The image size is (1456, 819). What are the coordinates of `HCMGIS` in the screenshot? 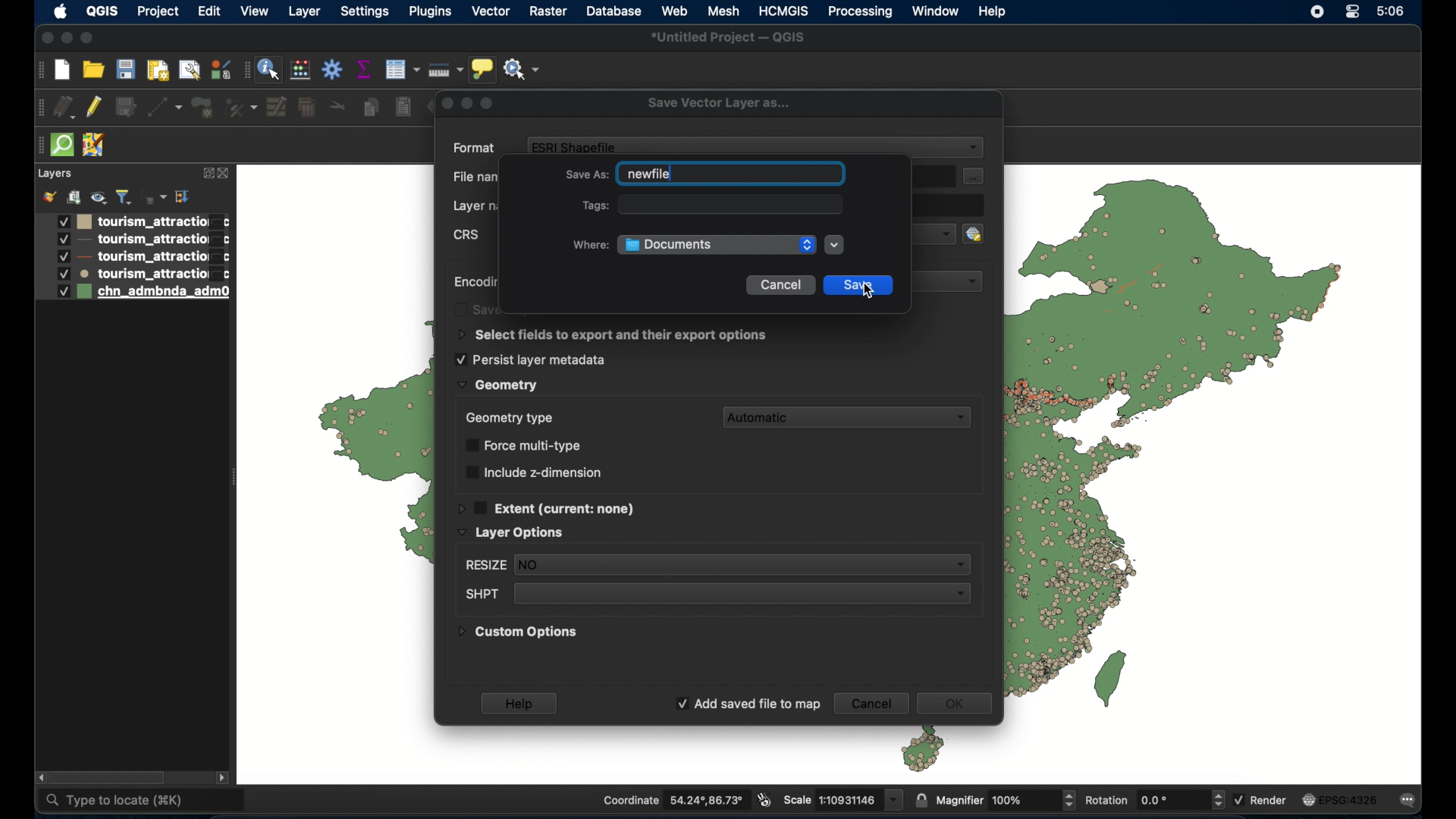 It's located at (785, 11).